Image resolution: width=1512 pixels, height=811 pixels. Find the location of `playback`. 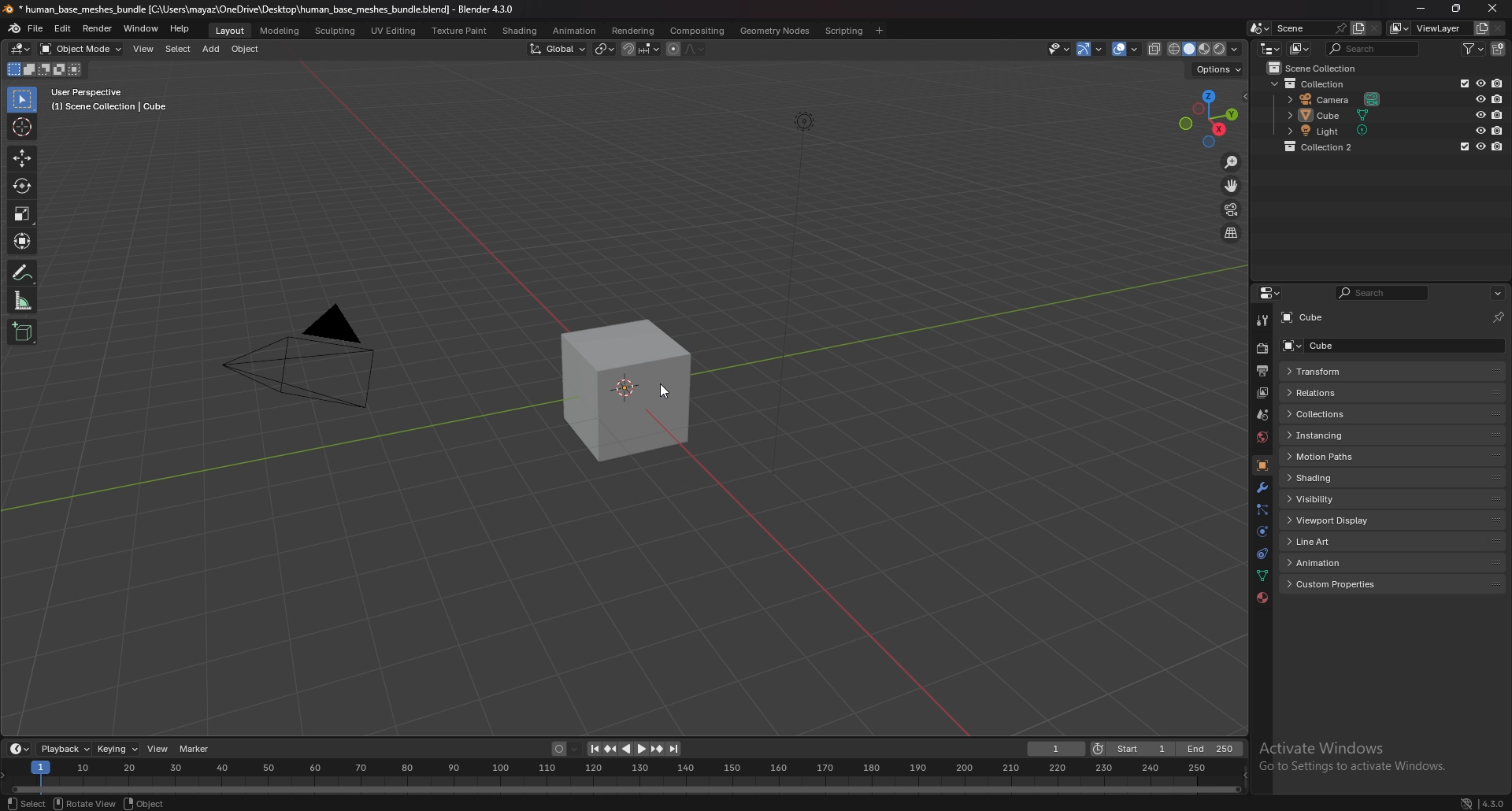

playback is located at coordinates (65, 749).